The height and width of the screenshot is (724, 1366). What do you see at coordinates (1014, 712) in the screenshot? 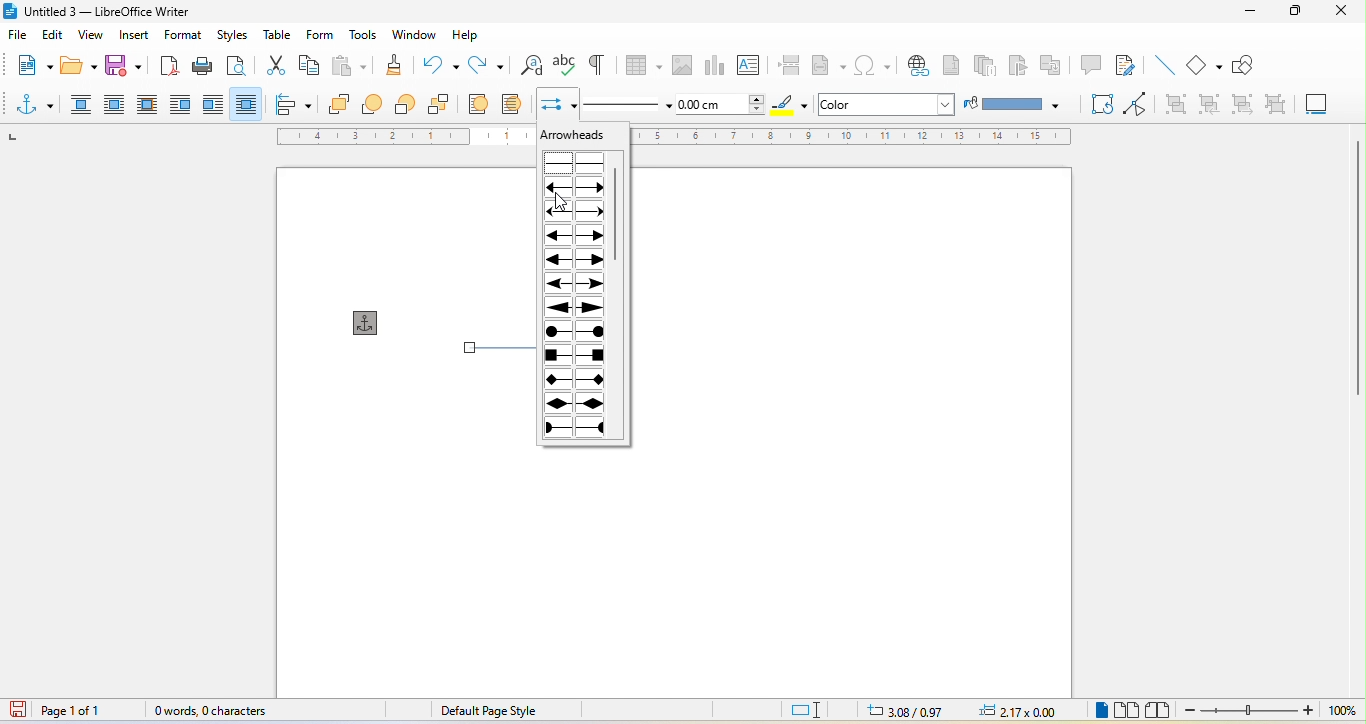
I see `2.17x0.00` at bounding box center [1014, 712].